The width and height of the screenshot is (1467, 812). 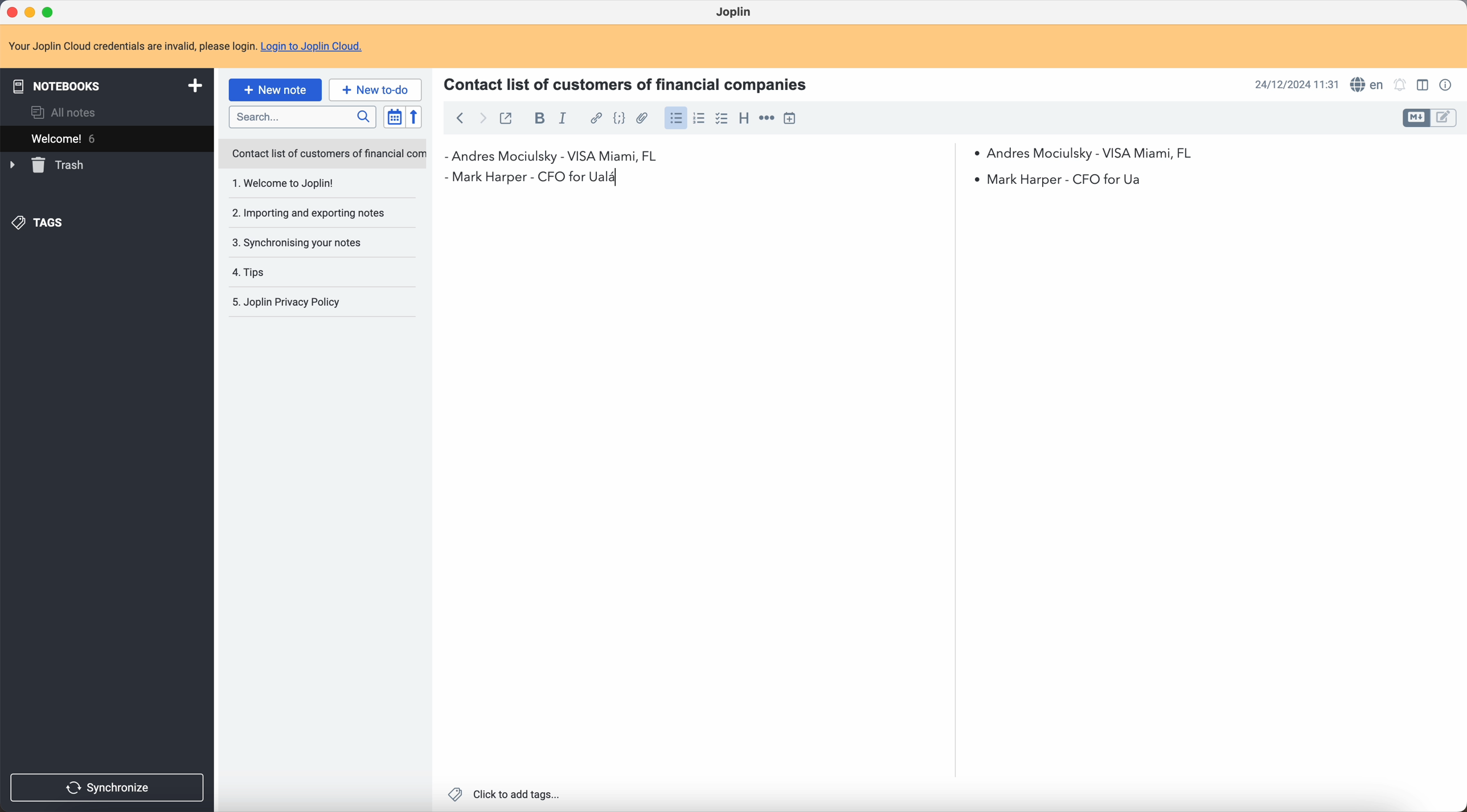 I want to click on horizontal rule, so click(x=767, y=118).